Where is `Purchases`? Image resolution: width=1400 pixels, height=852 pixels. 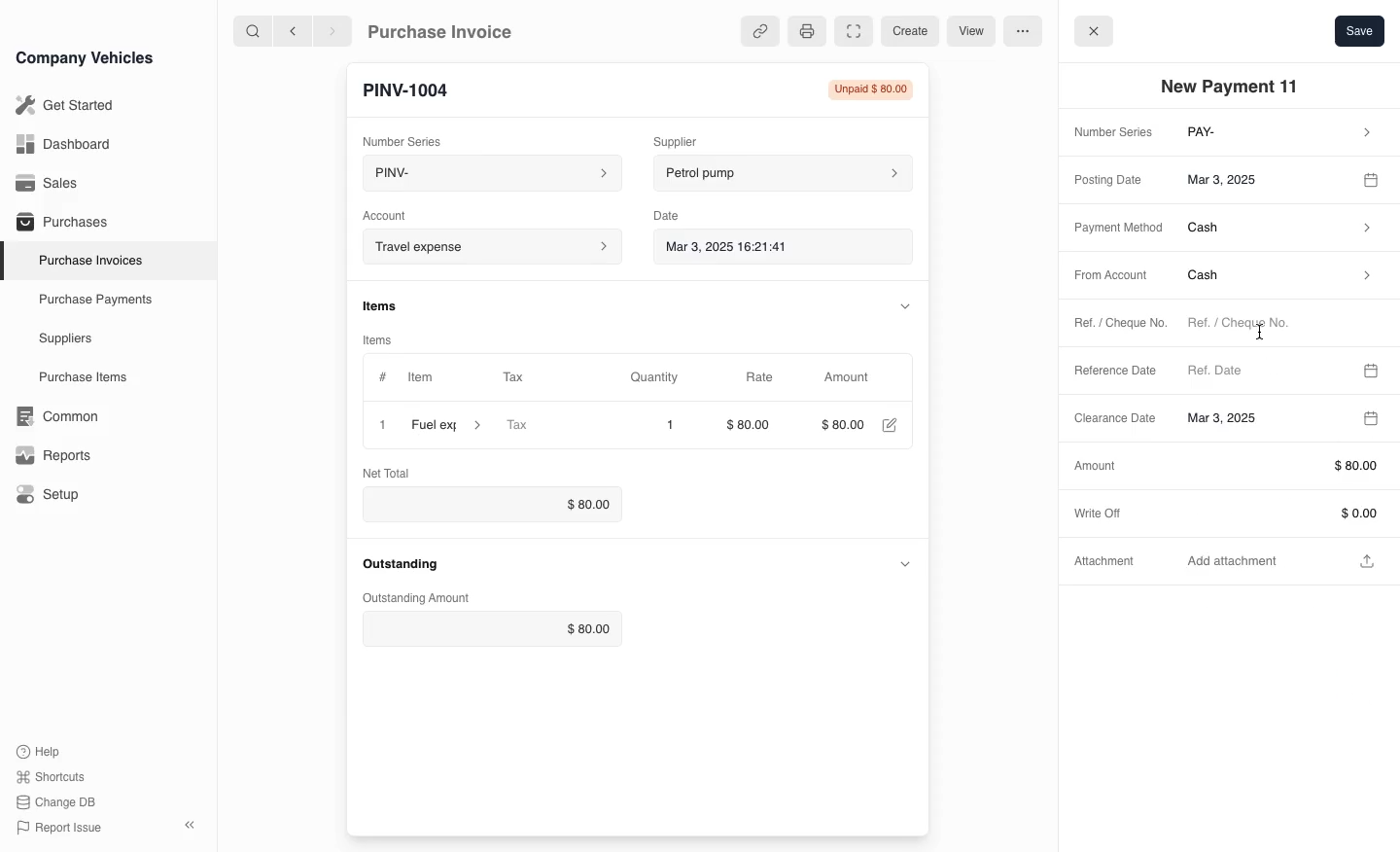 Purchases is located at coordinates (57, 224).